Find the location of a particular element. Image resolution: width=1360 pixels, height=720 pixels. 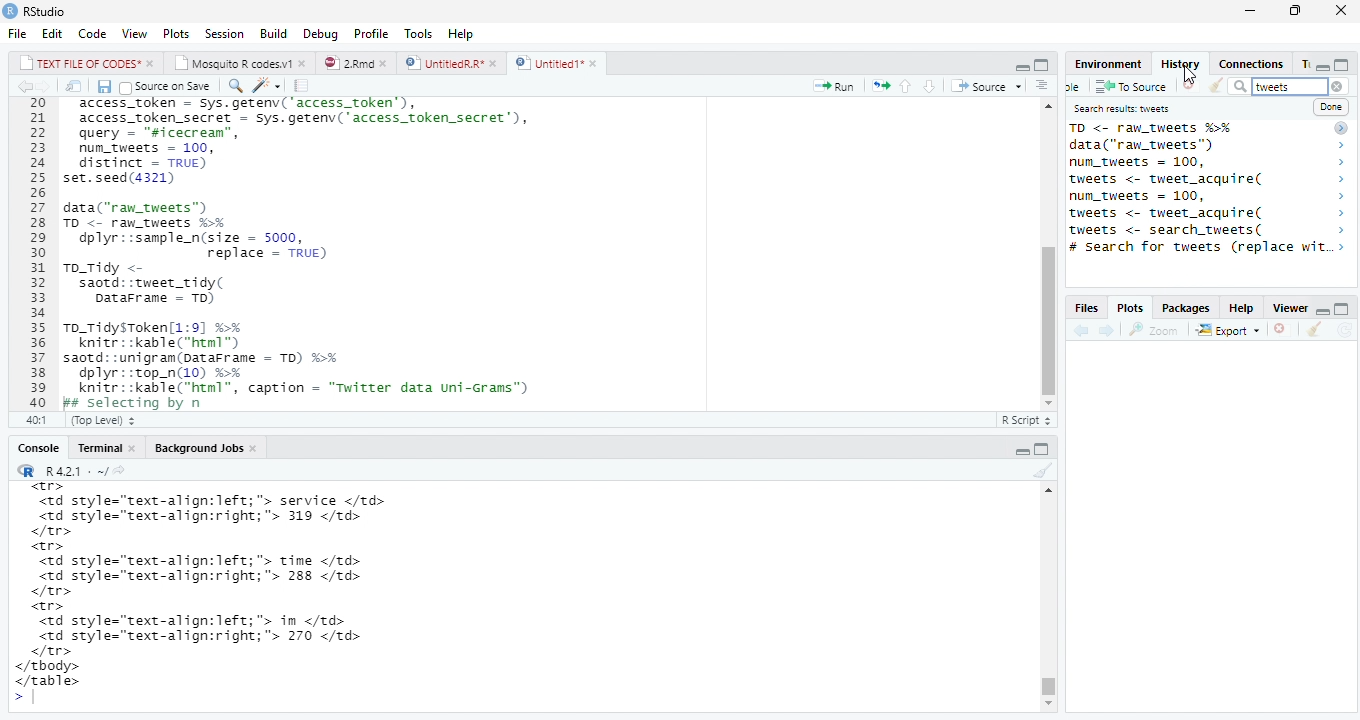

cursor is located at coordinates (1189, 76).